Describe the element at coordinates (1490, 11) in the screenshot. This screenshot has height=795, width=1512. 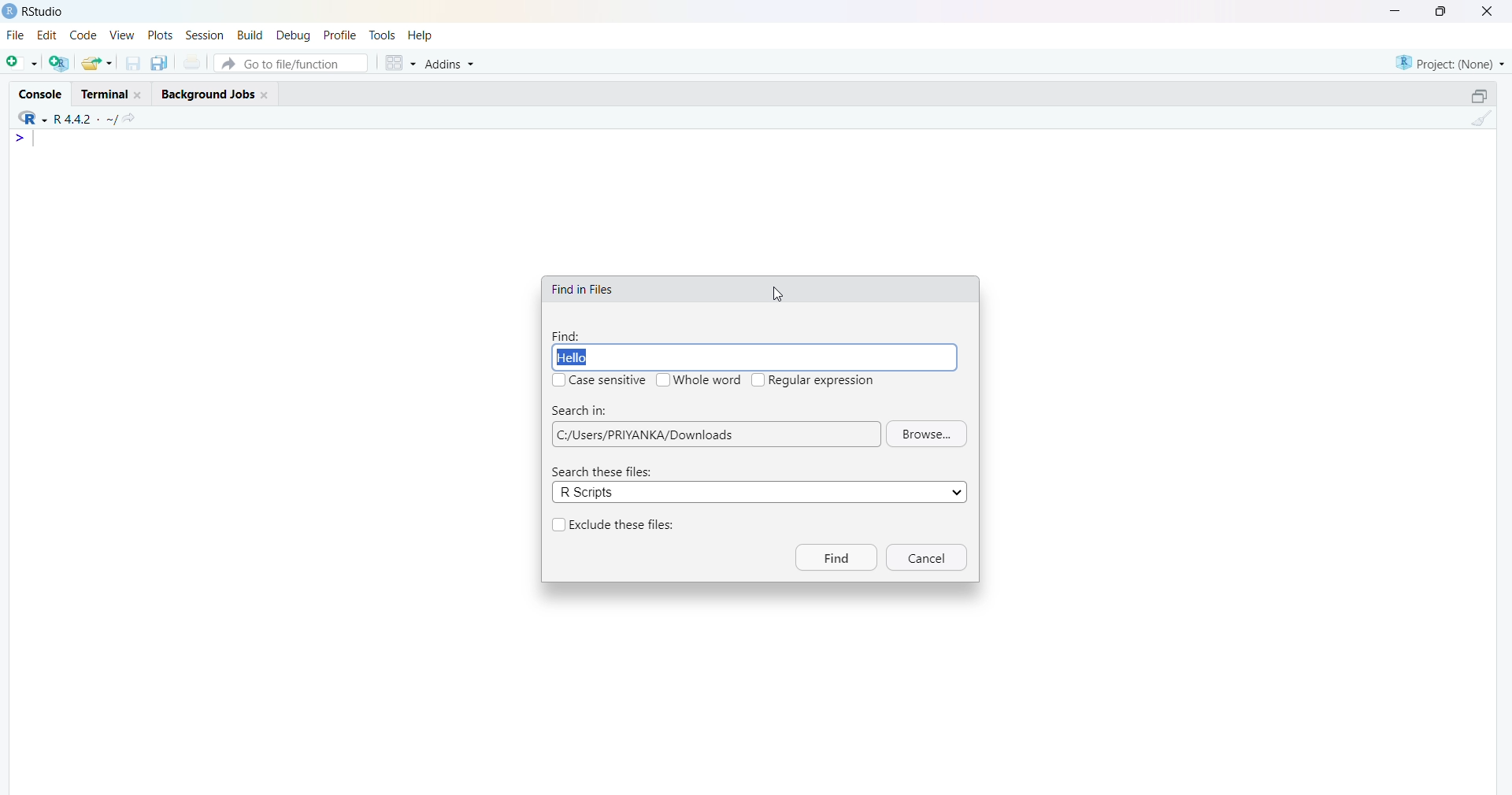
I see `close` at that location.